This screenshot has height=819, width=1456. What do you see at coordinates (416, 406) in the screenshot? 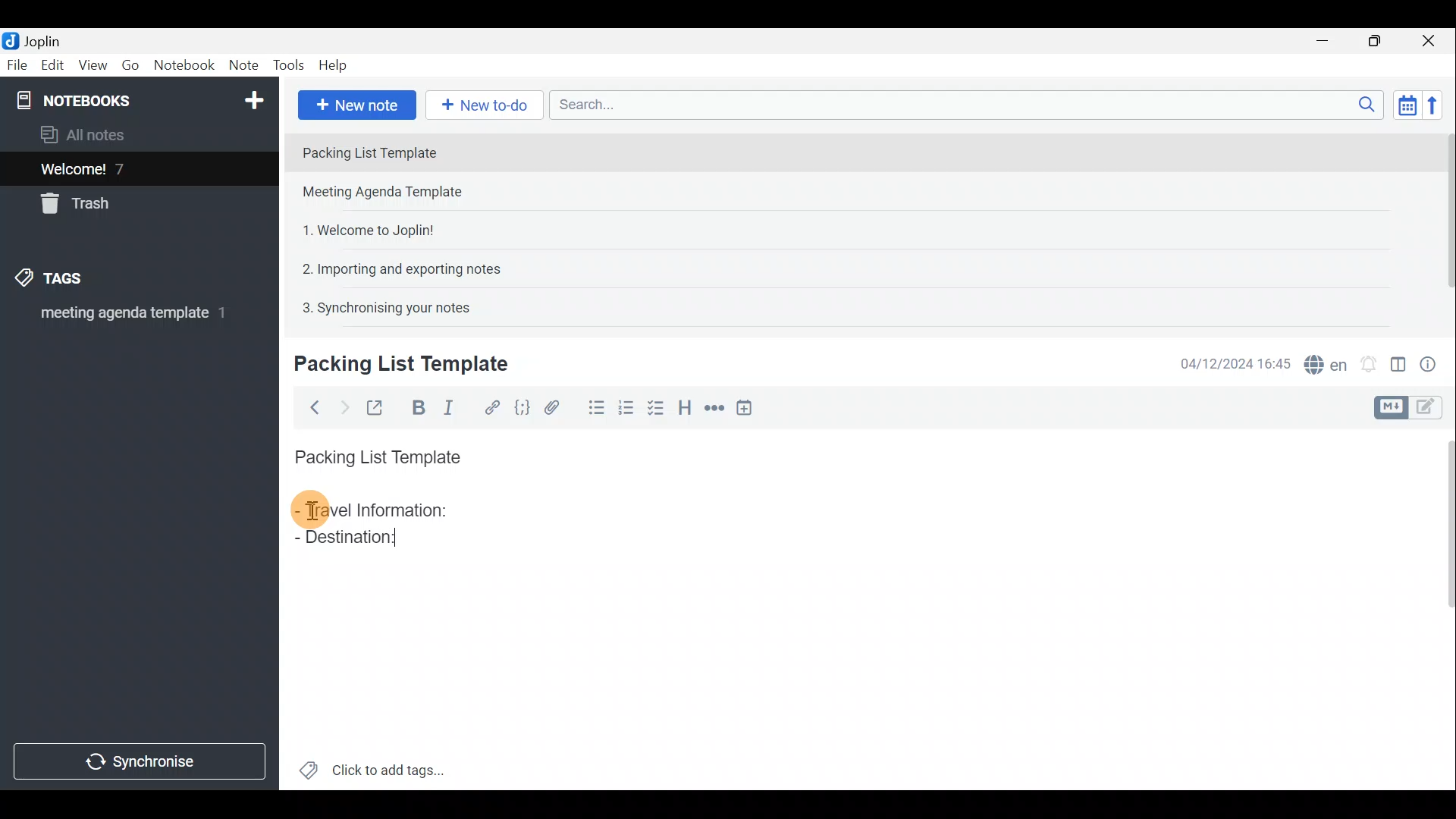
I see `Bold` at bounding box center [416, 406].